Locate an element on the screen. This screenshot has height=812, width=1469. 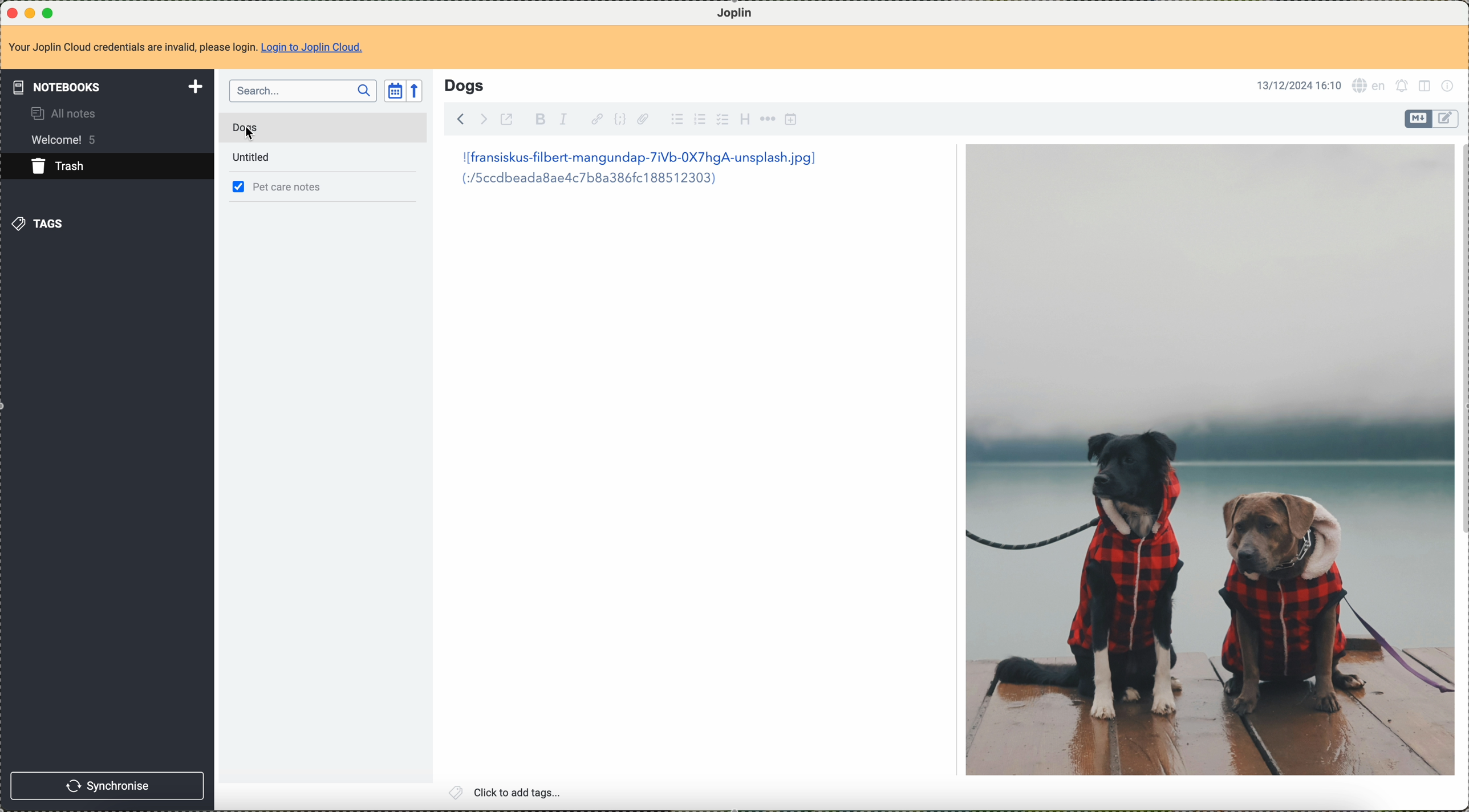
toggle editor is located at coordinates (1447, 118).